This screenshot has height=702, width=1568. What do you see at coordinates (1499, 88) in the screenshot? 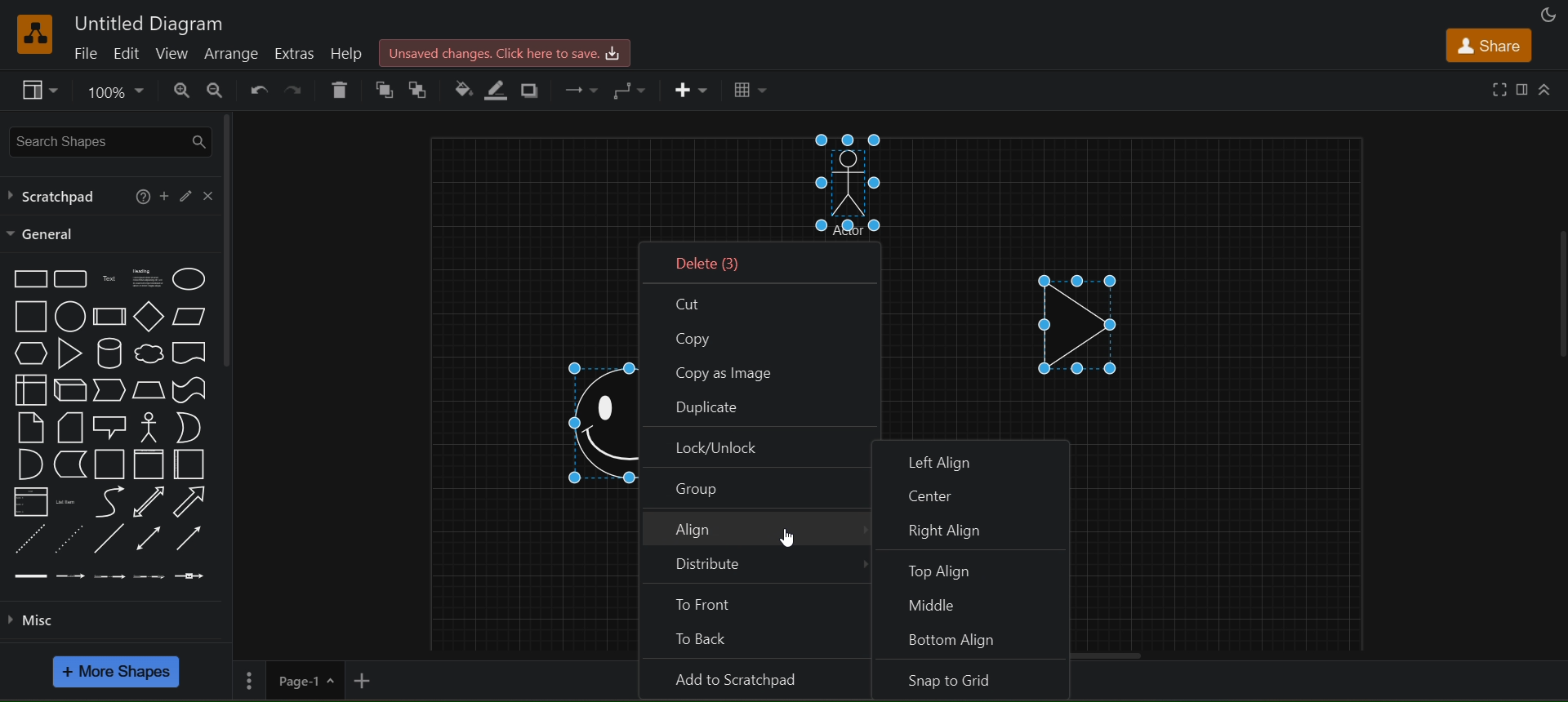
I see `fullscreen` at bounding box center [1499, 88].